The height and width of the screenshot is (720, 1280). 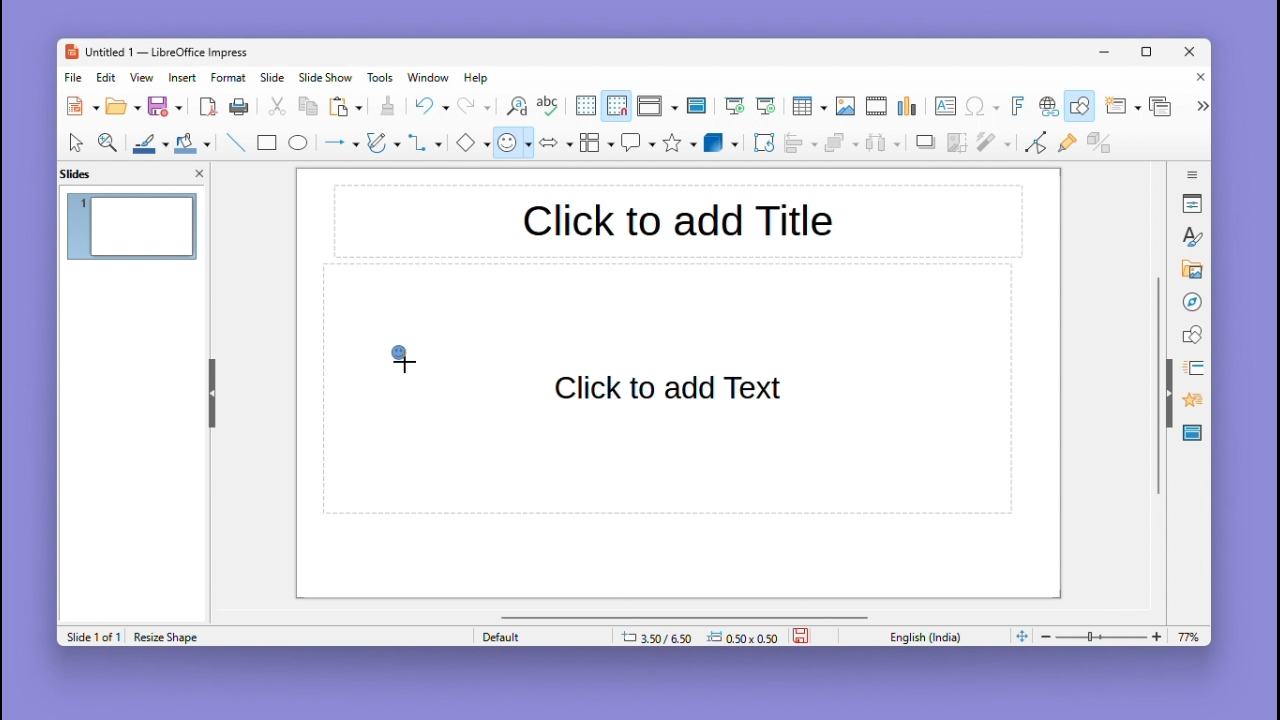 I want to click on View, so click(x=145, y=77).